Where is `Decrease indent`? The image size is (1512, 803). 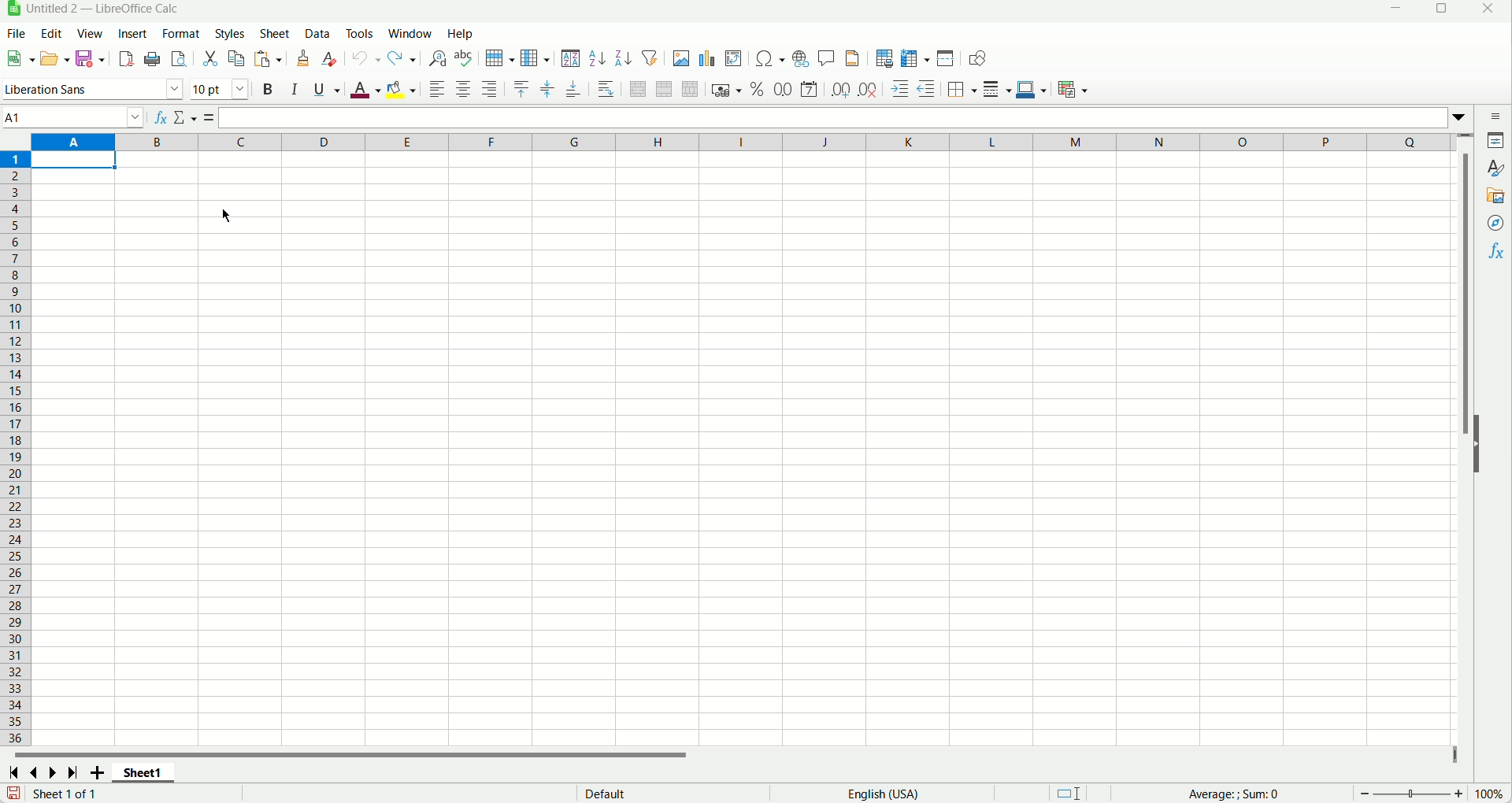 Decrease indent is located at coordinates (927, 89).